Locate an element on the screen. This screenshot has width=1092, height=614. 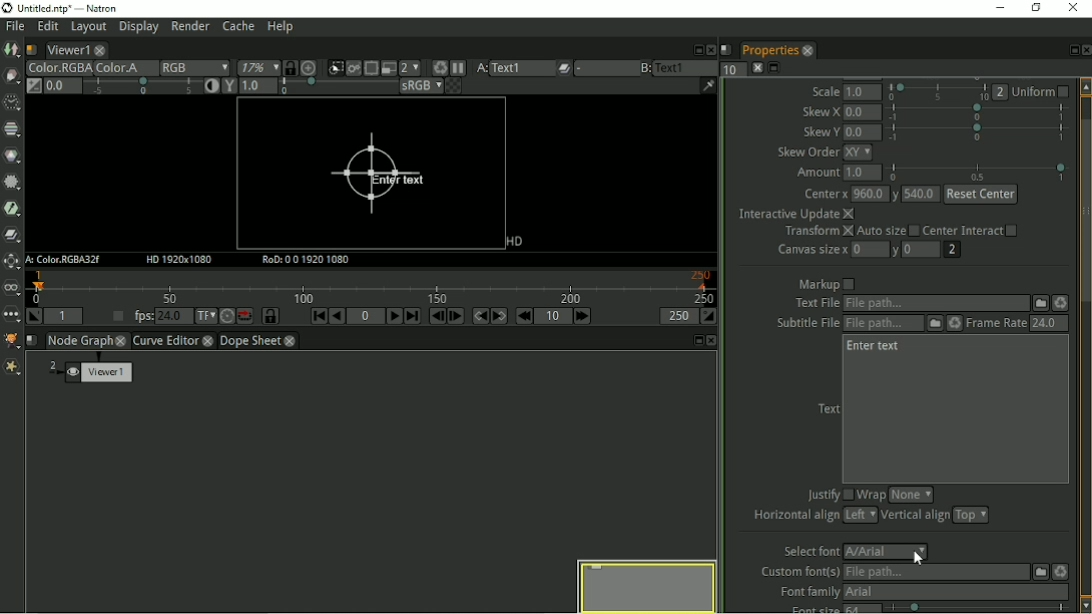
left is located at coordinates (860, 515).